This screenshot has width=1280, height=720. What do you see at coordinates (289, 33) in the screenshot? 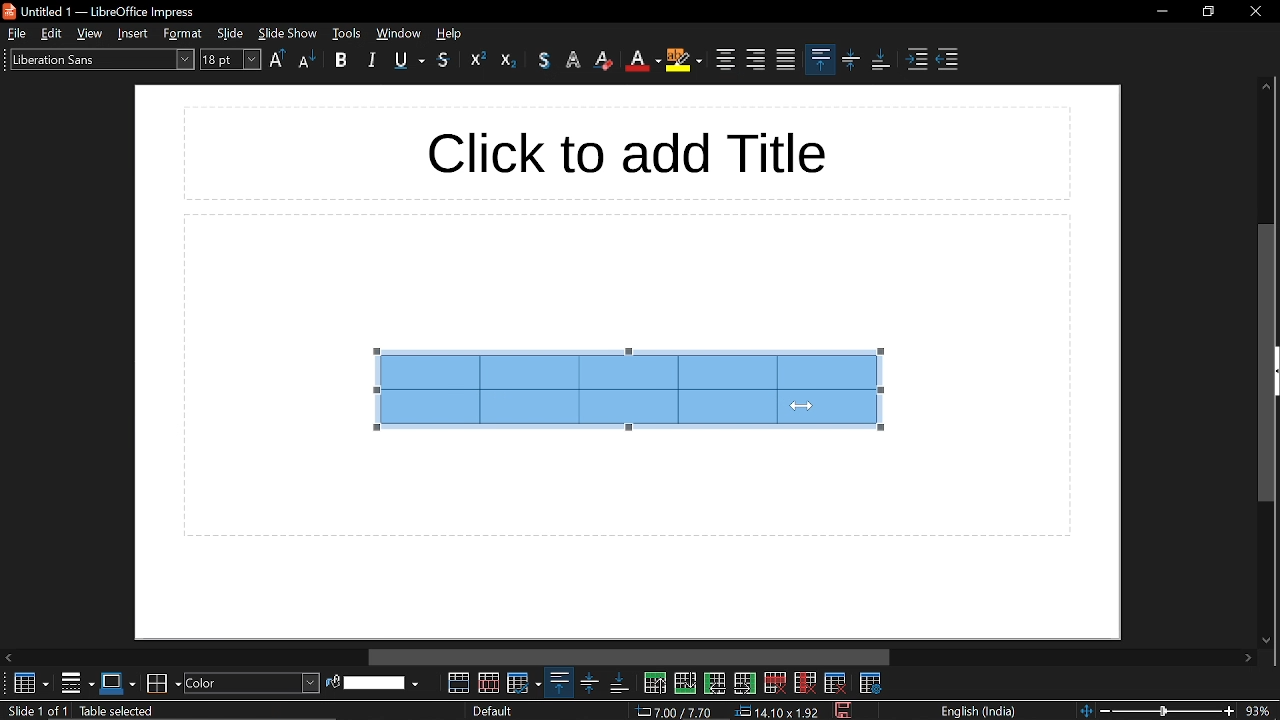
I see `slide show` at bounding box center [289, 33].